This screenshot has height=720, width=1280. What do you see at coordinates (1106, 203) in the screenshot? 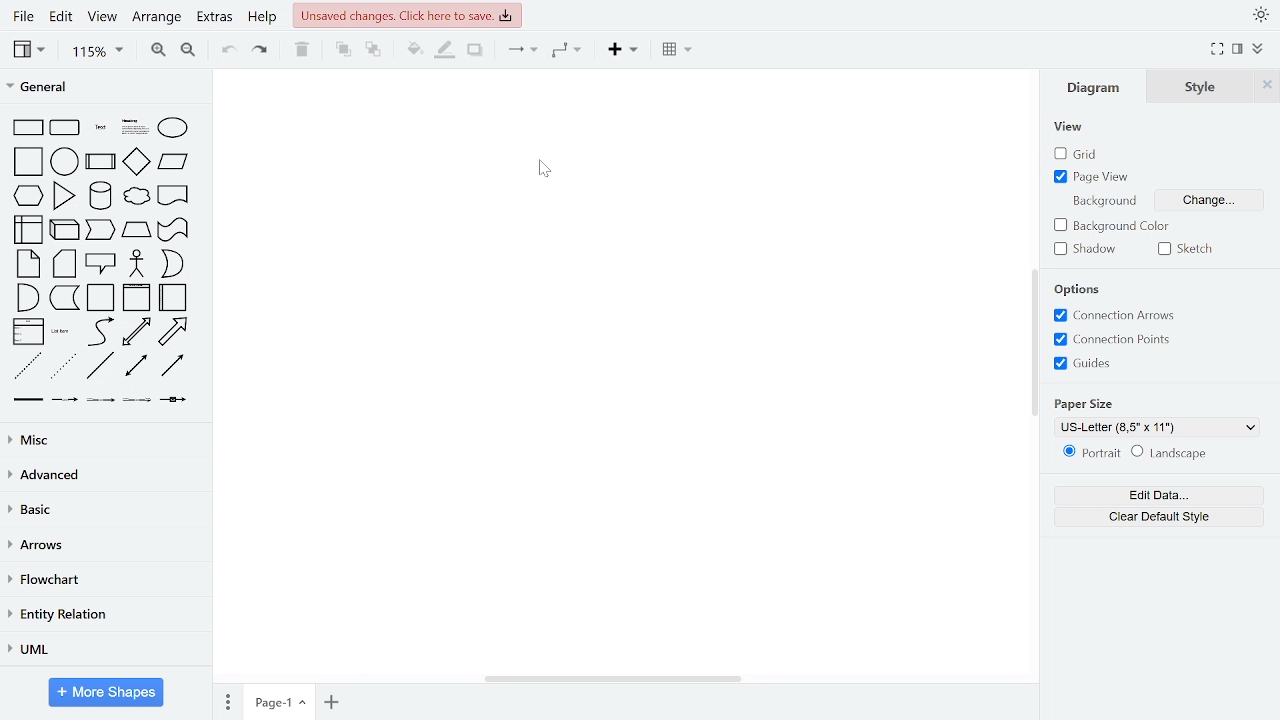
I see `background` at bounding box center [1106, 203].